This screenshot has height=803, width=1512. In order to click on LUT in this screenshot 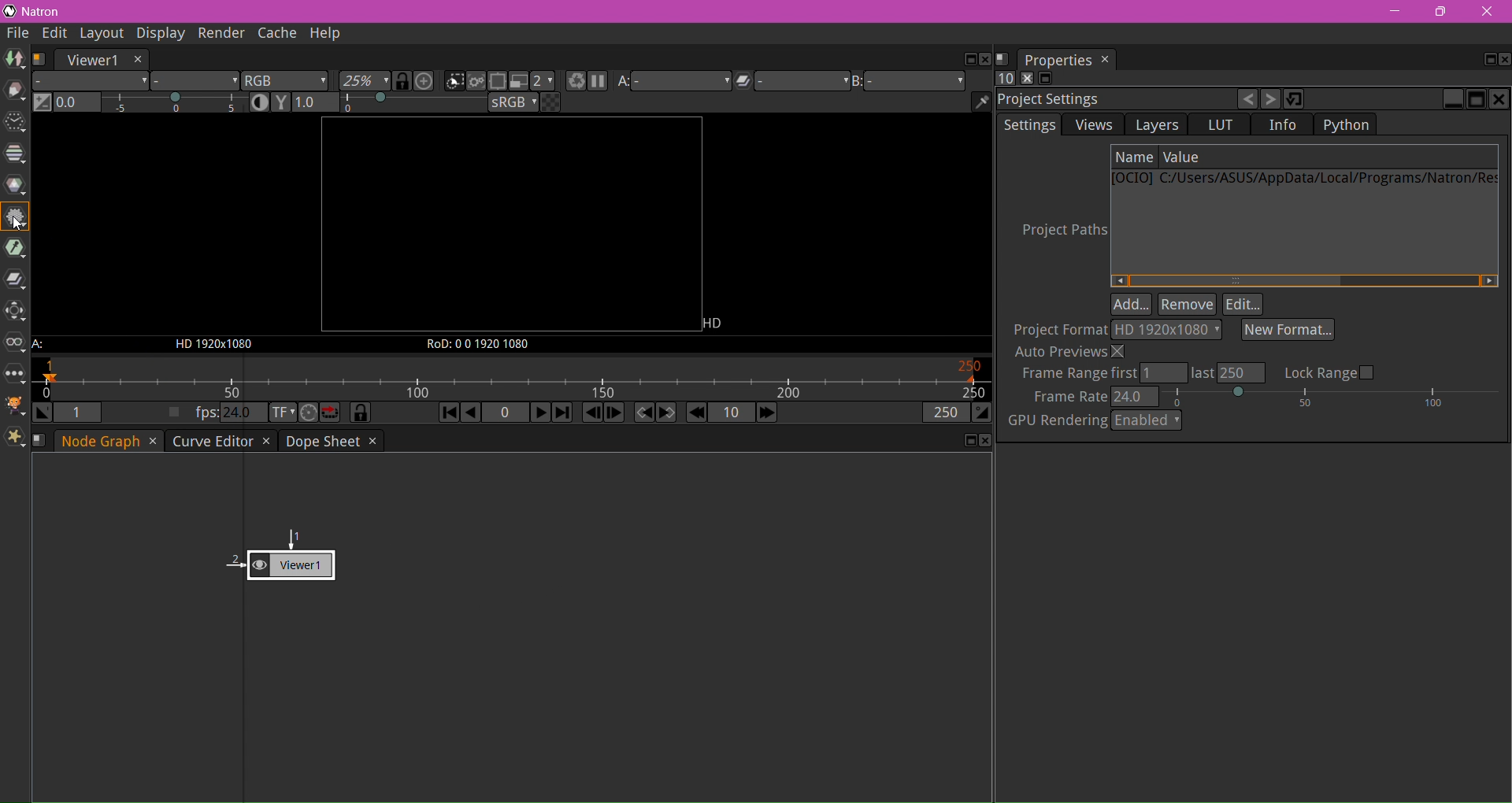, I will do `click(1220, 124)`.